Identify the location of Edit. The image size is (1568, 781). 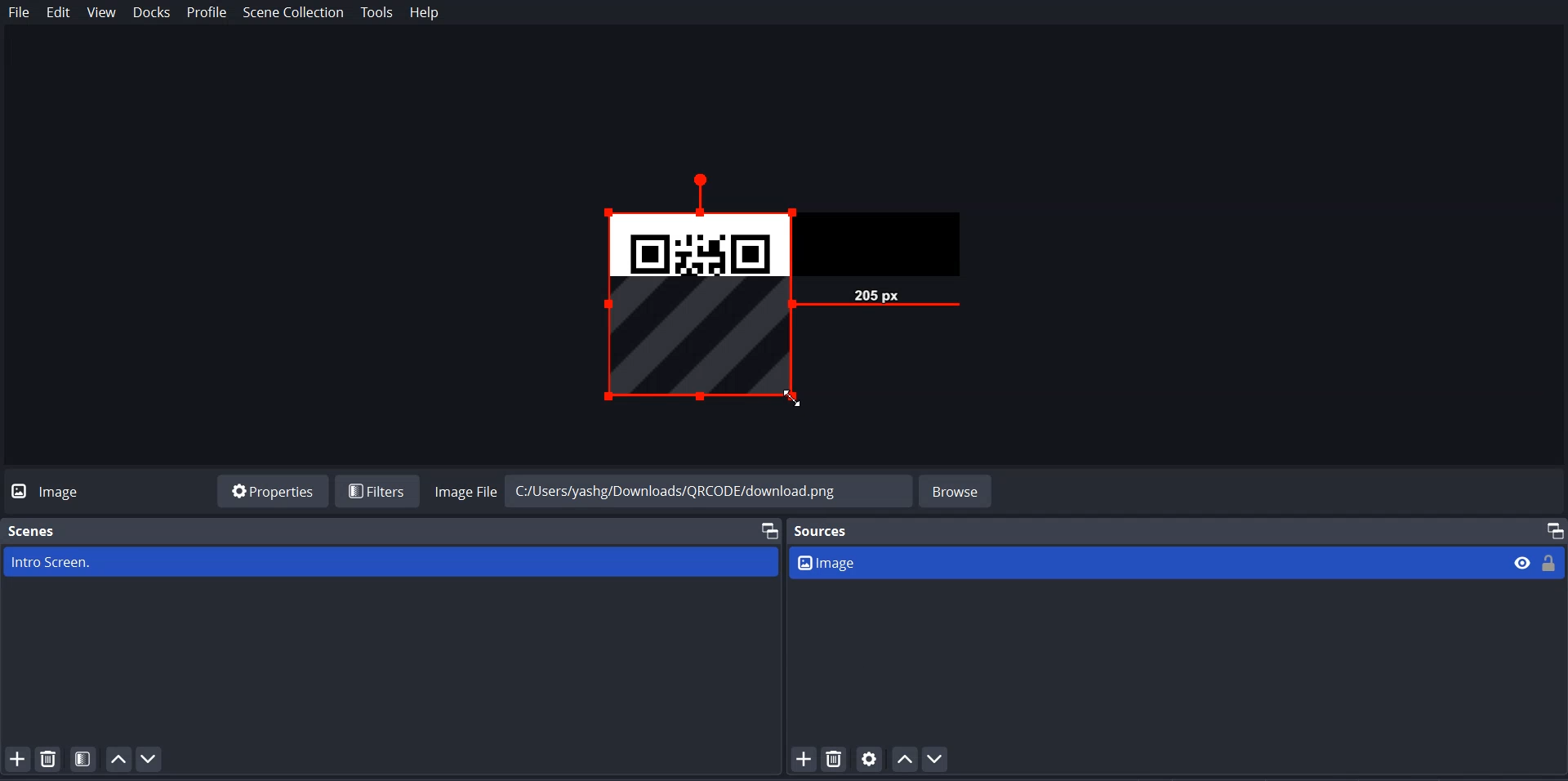
(59, 13).